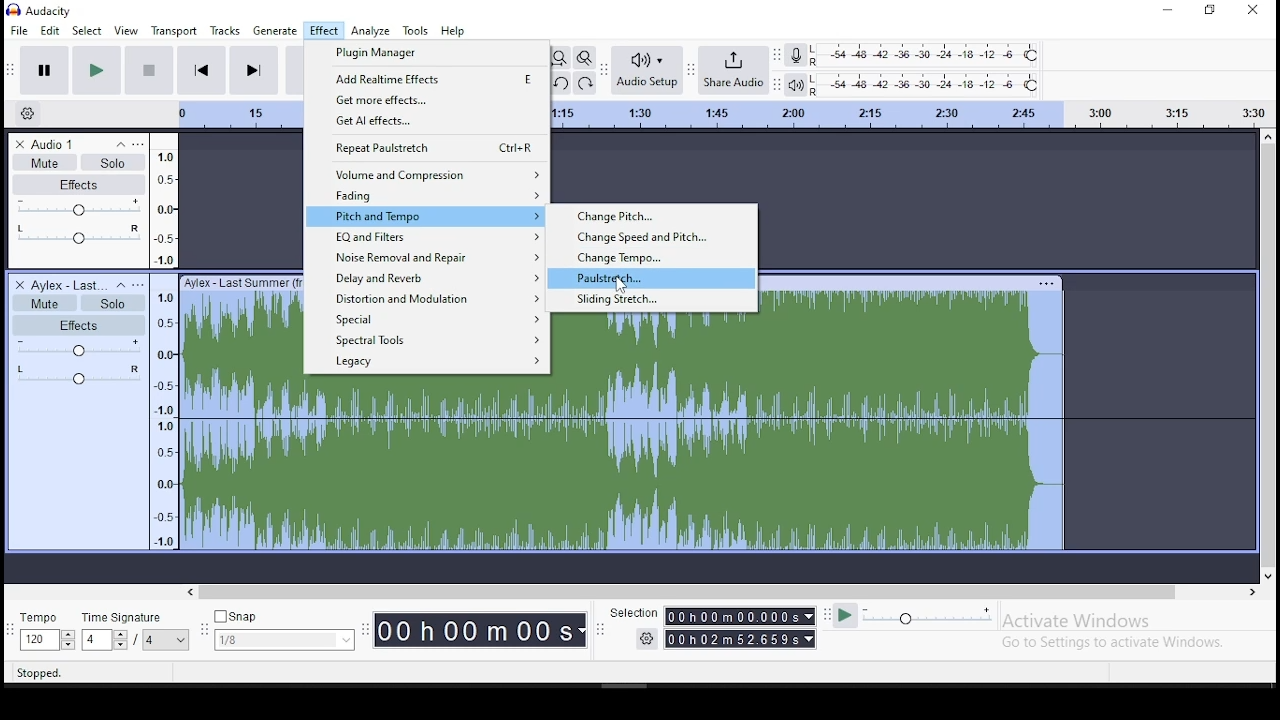  I want to click on timer, so click(480, 627).